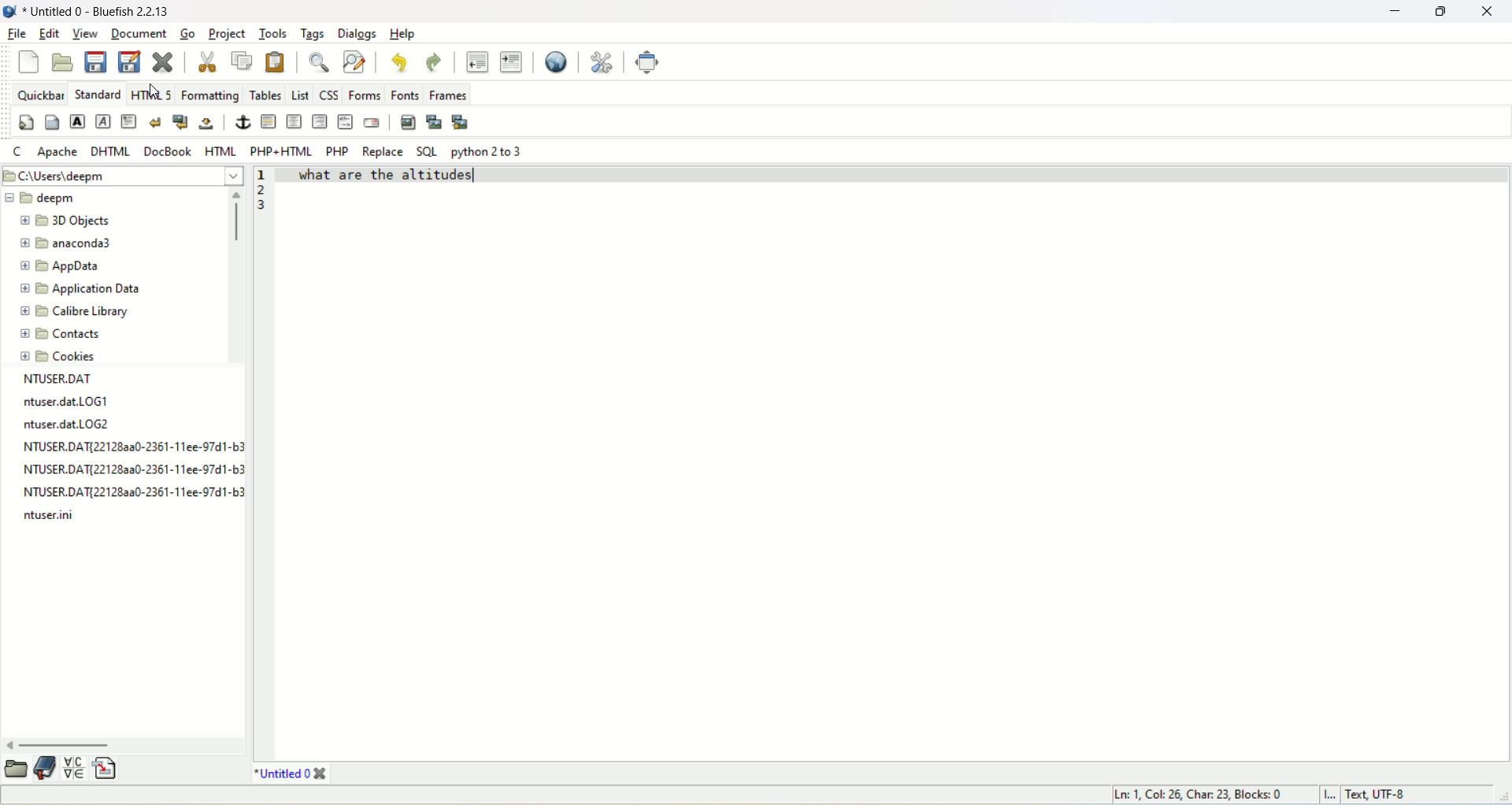 Image resolution: width=1512 pixels, height=805 pixels. What do you see at coordinates (1392, 12) in the screenshot?
I see `minimize` at bounding box center [1392, 12].